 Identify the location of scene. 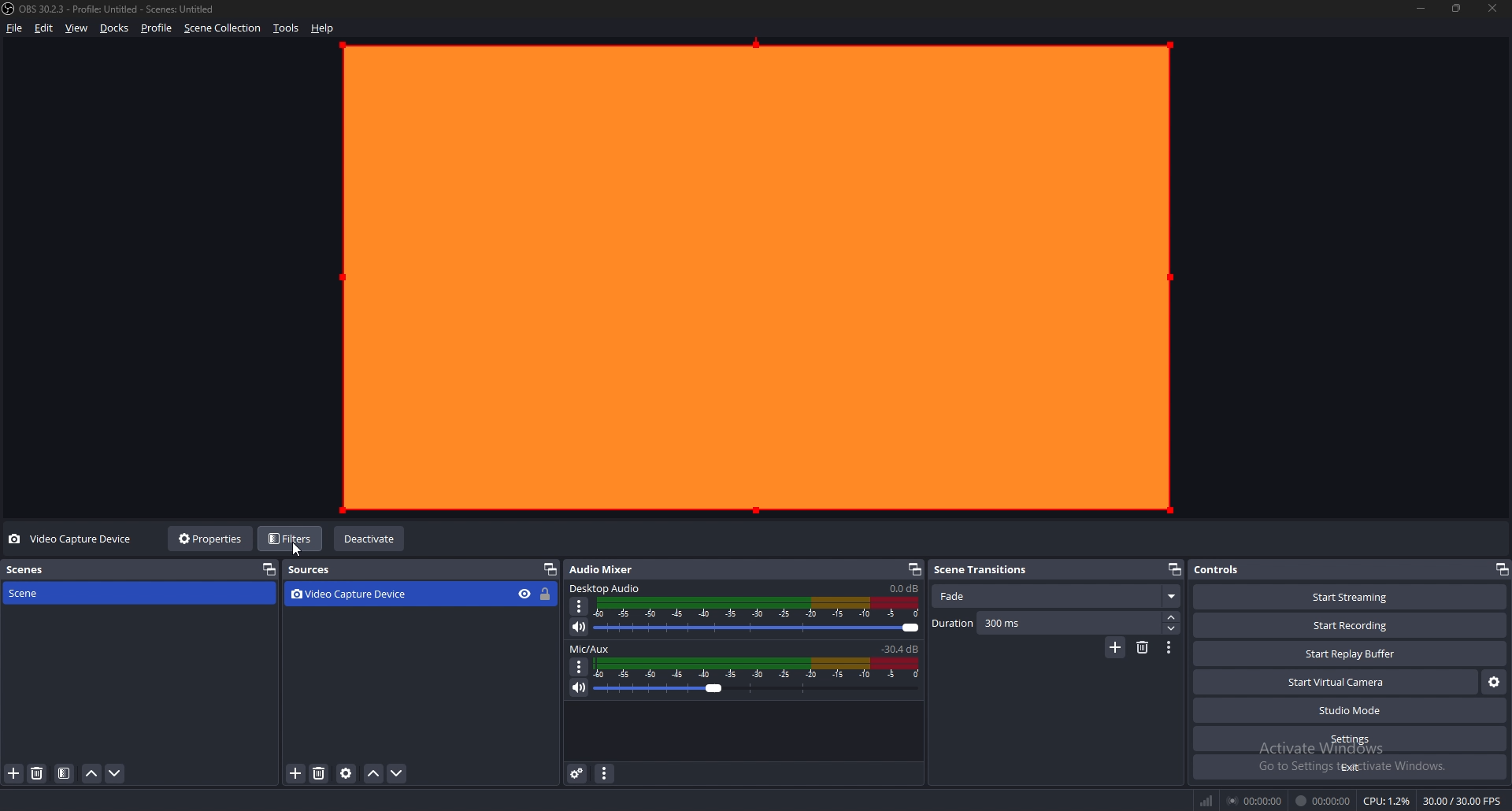
(73, 593).